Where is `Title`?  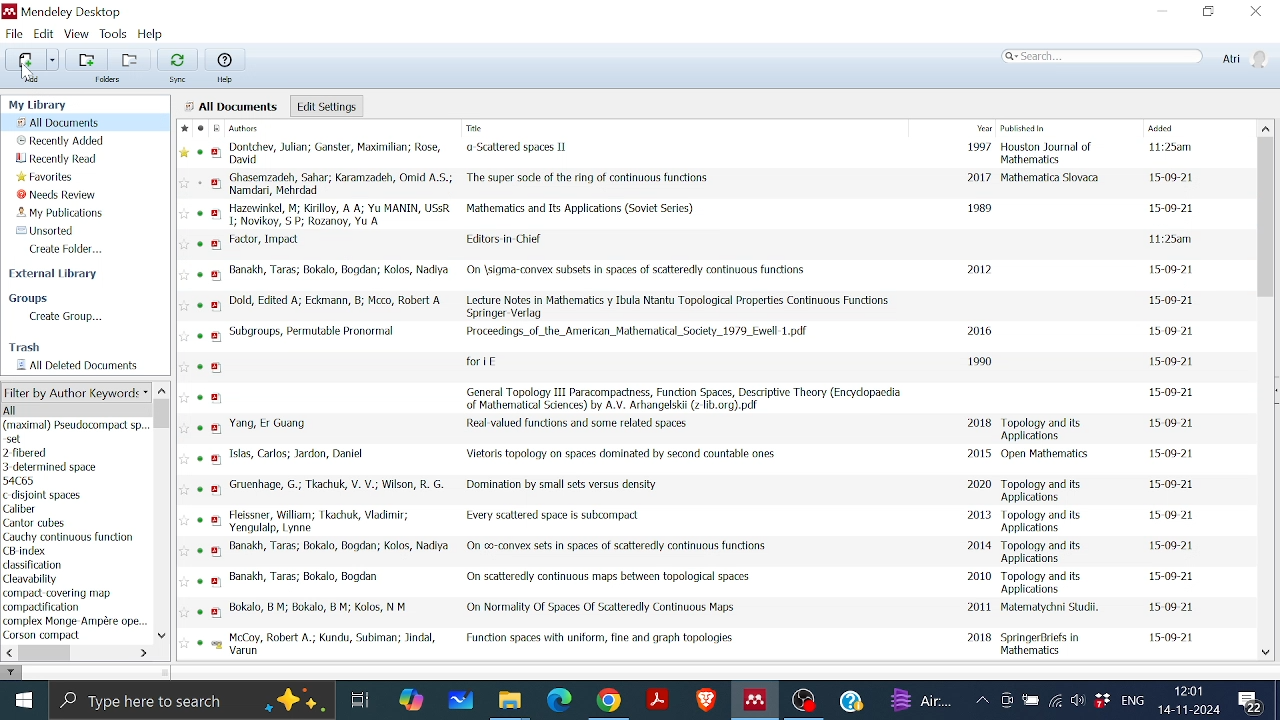
Title is located at coordinates (579, 208).